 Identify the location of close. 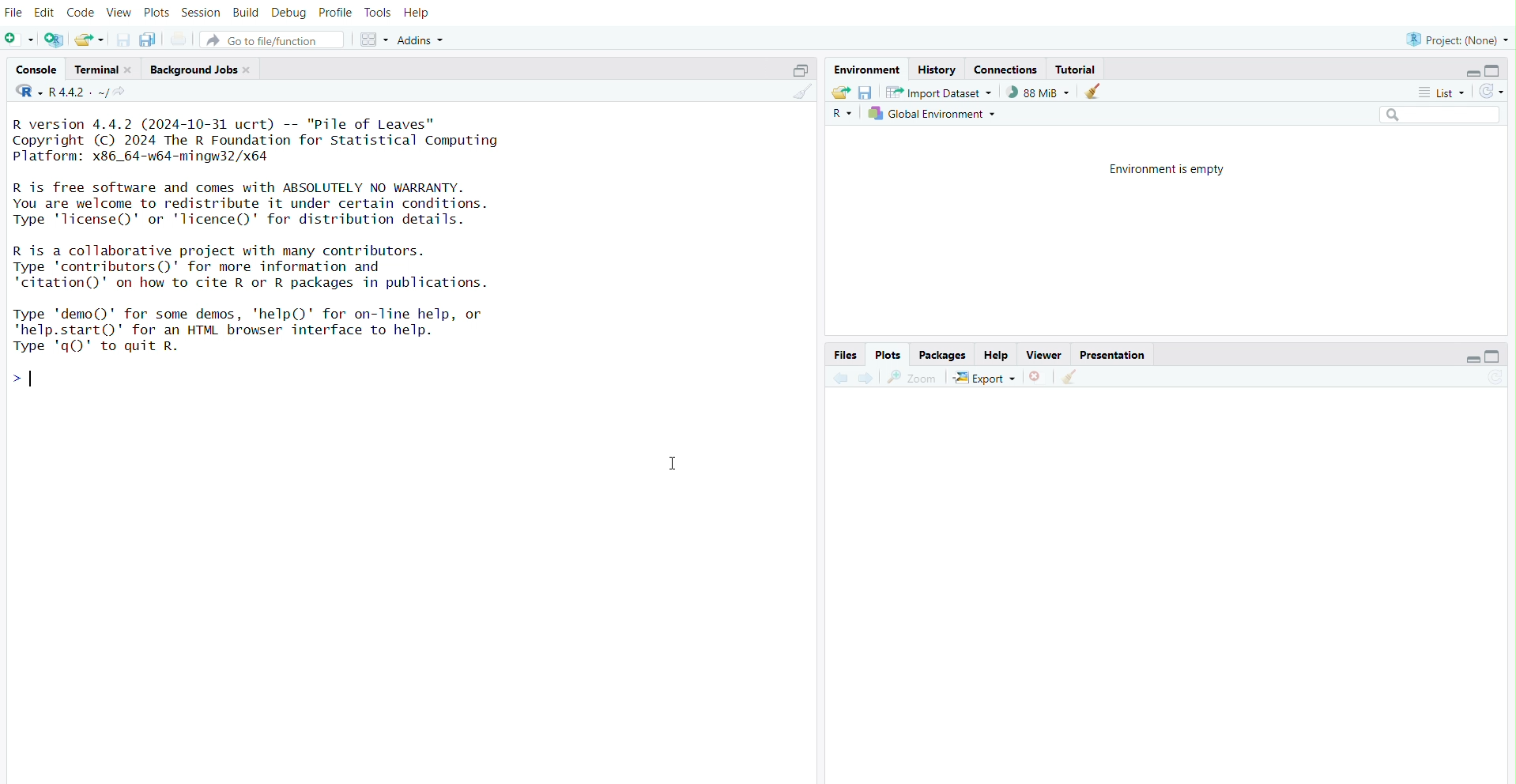
(132, 68).